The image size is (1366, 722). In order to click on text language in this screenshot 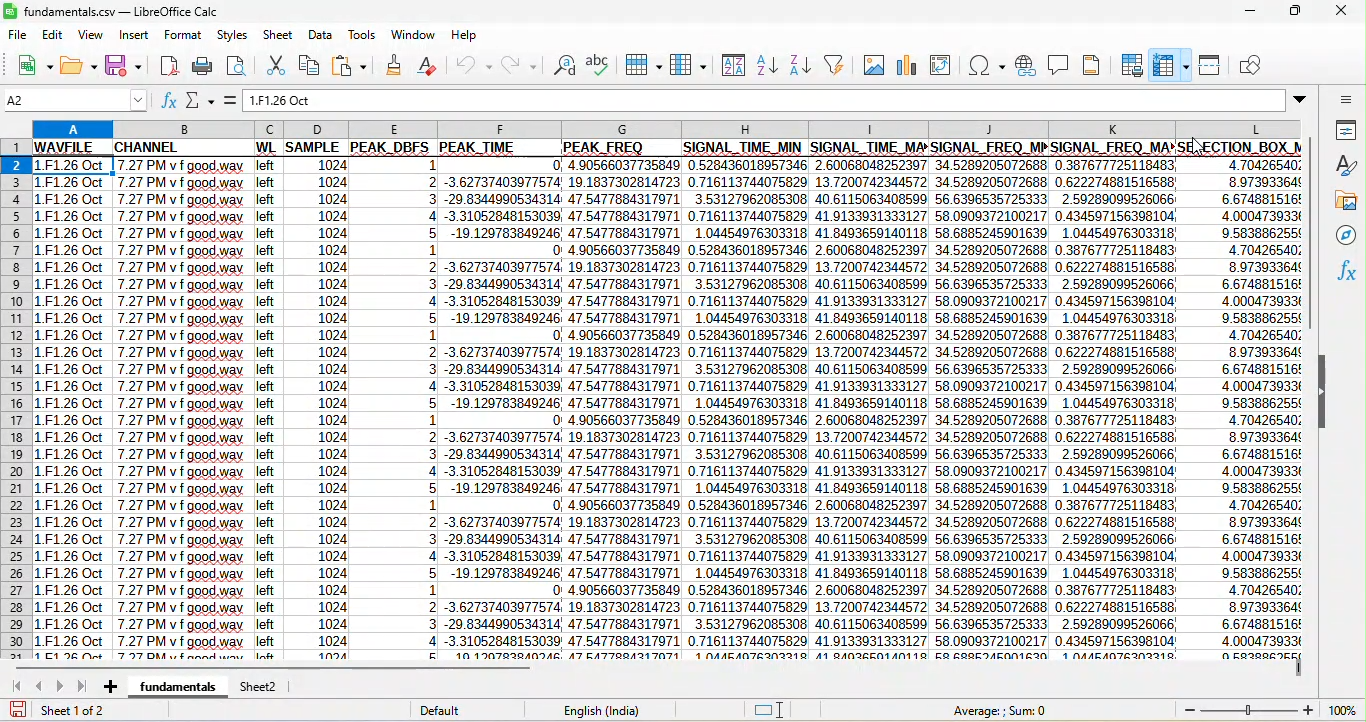, I will do `click(604, 709)`.